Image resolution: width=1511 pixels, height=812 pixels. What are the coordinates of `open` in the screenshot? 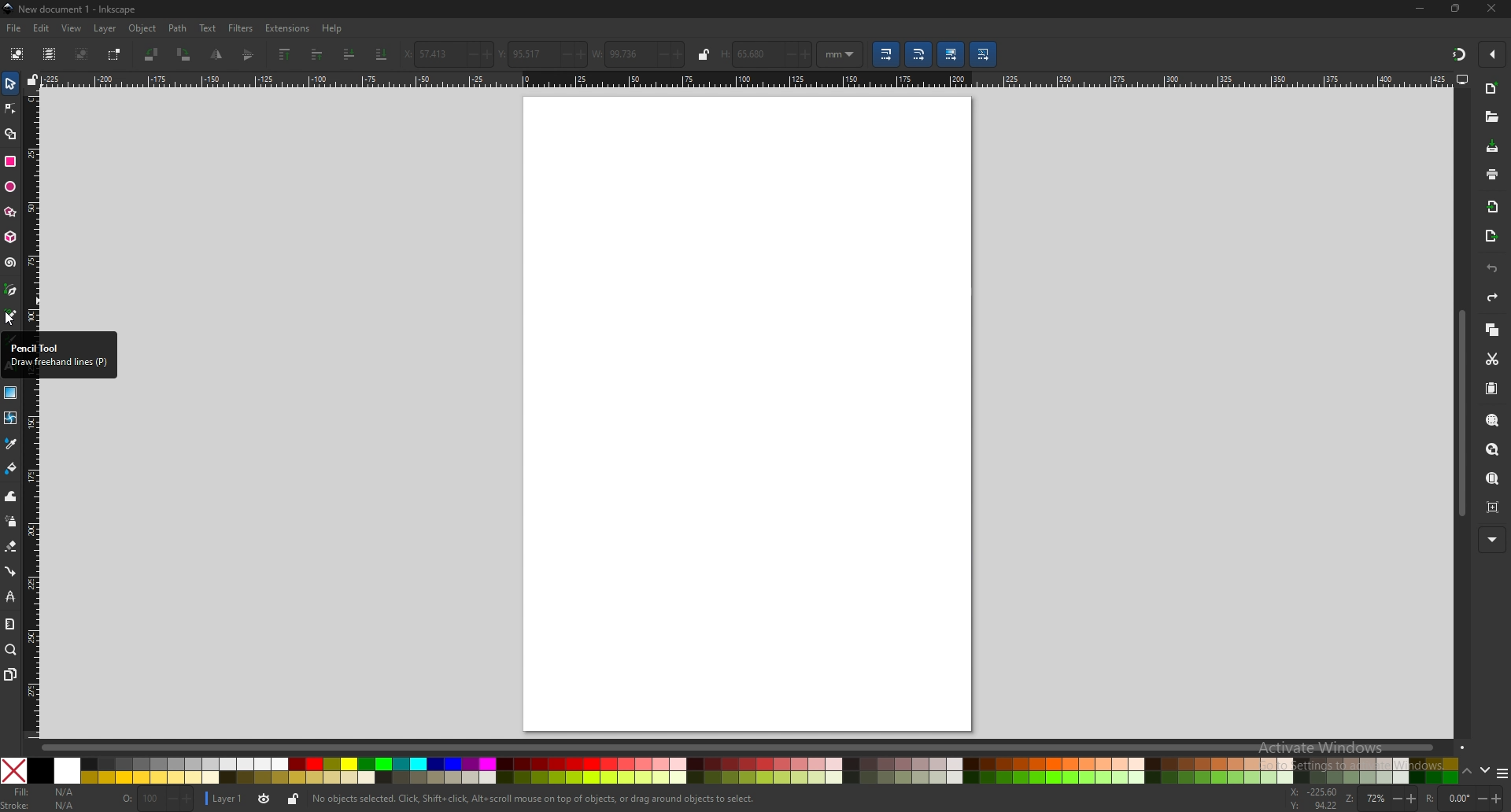 It's located at (1493, 116).